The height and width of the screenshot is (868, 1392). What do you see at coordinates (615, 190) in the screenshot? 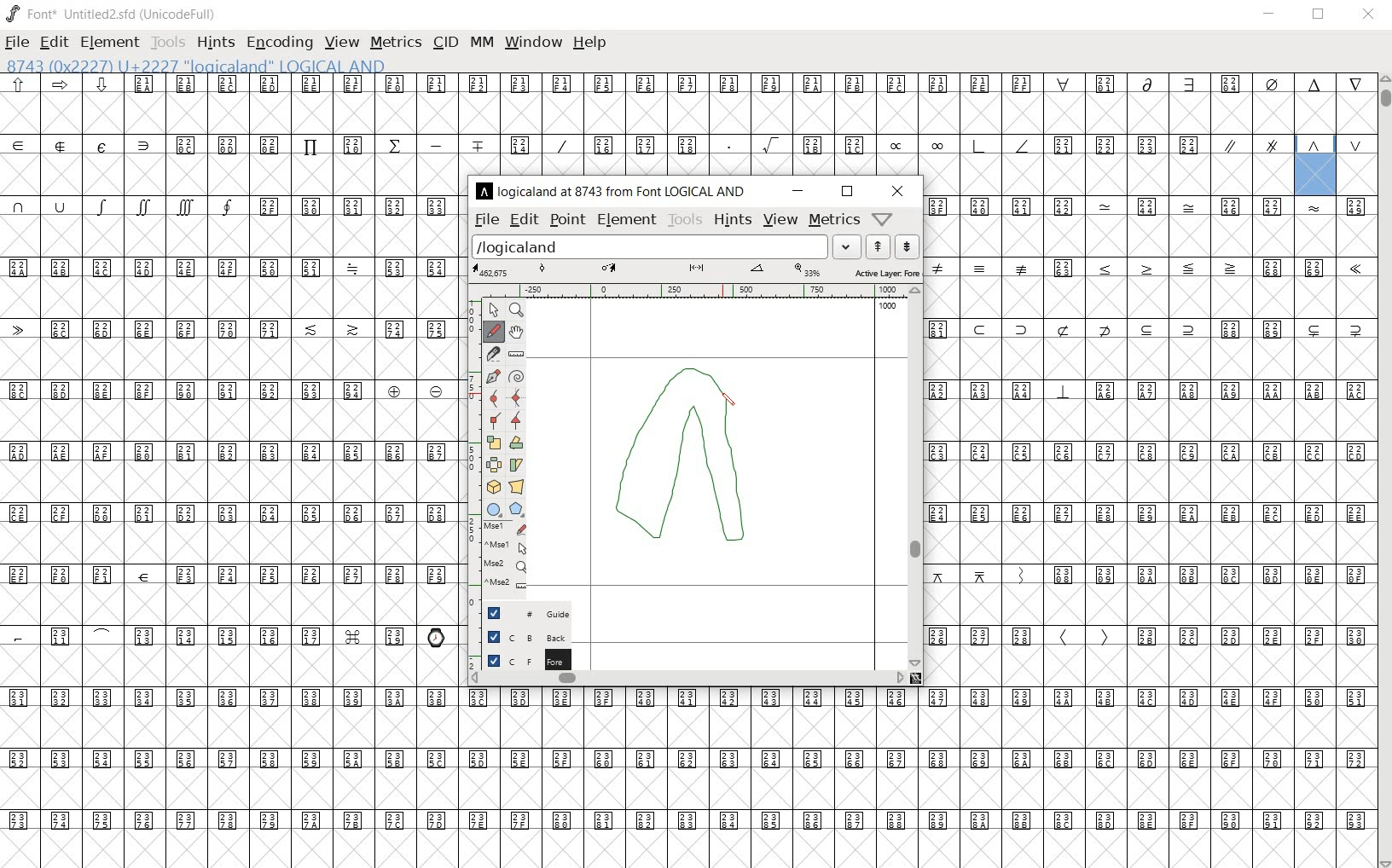
I see `logicaland at 8743 from LOGICAL AND` at bounding box center [615, 190].